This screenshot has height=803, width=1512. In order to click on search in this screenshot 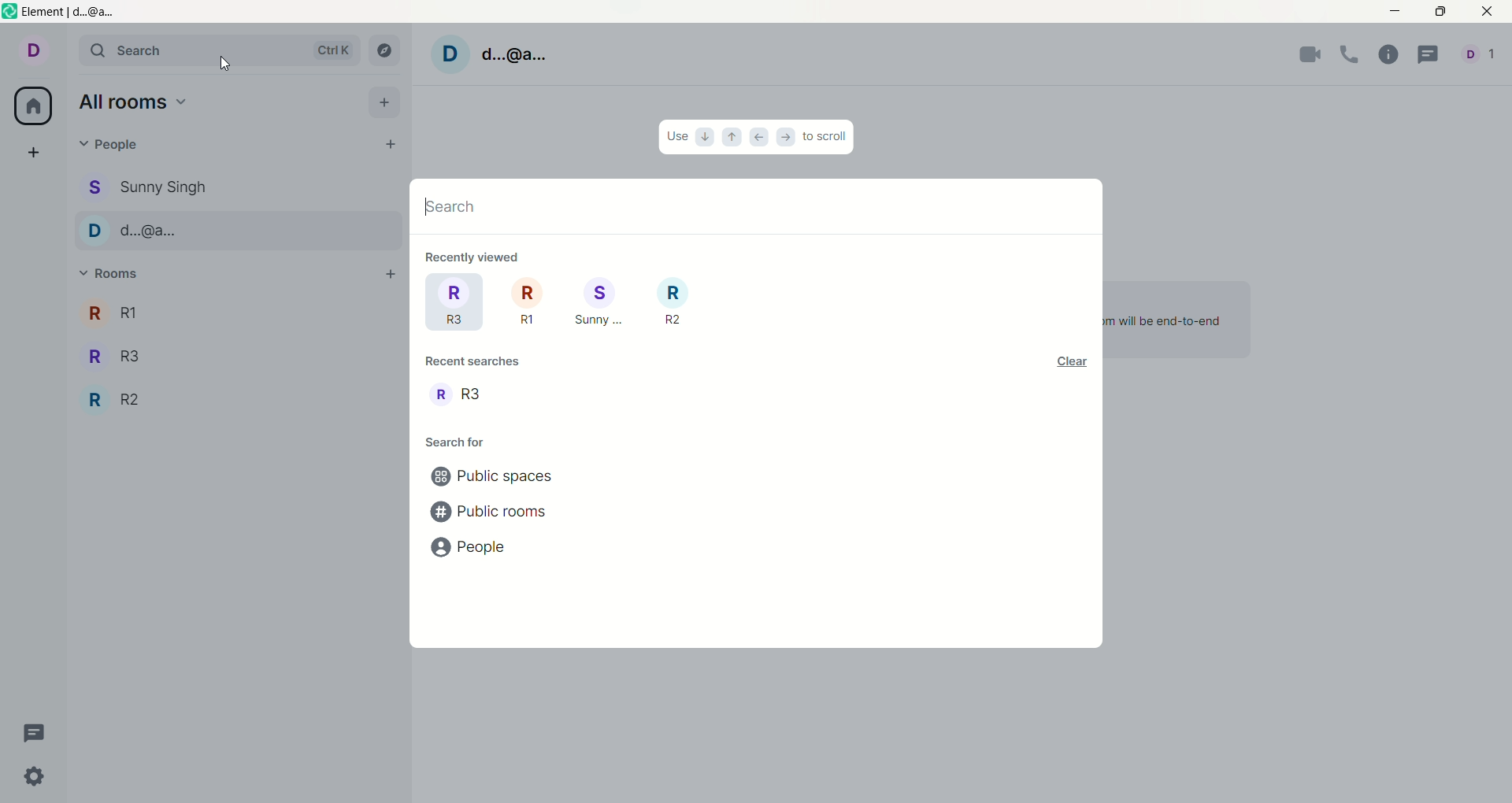, I will do `click(216, 50)`.